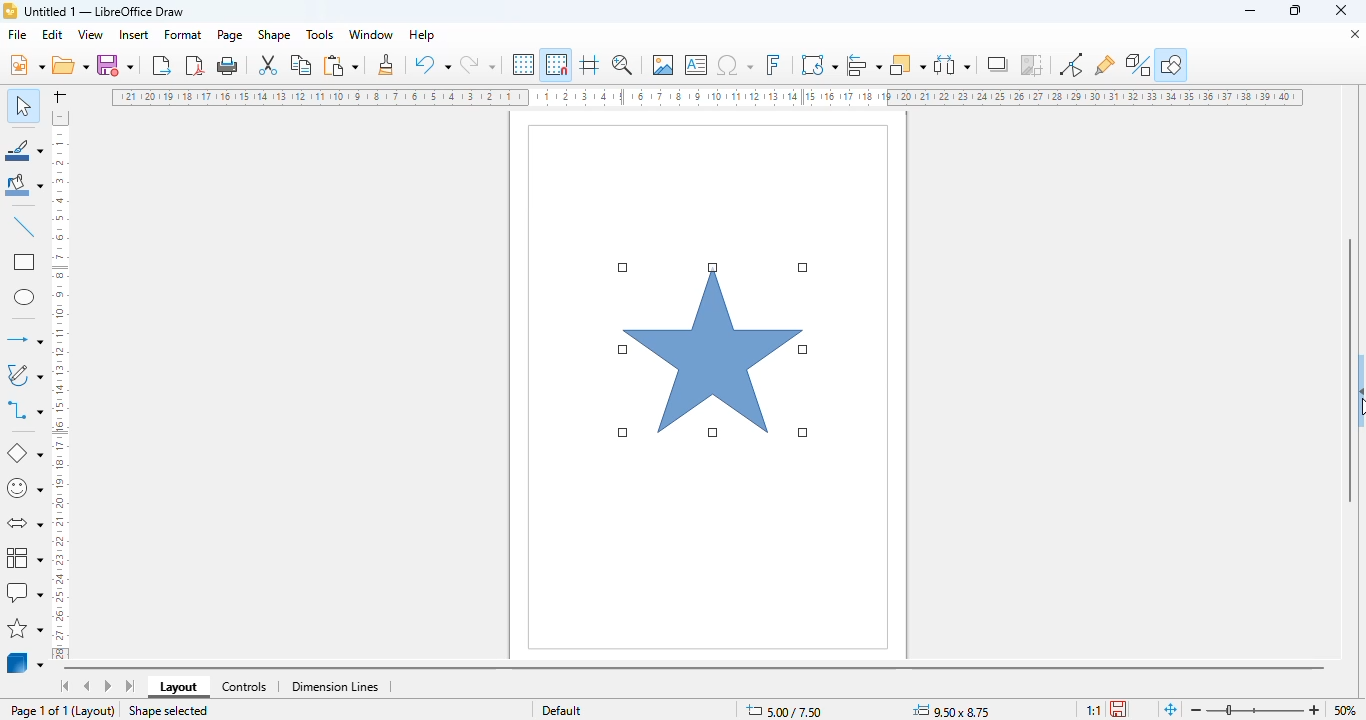  What do you see at coordinates (1252, 11) in the screenshot?
I see `minimize` at bounding box center [1252, 11].